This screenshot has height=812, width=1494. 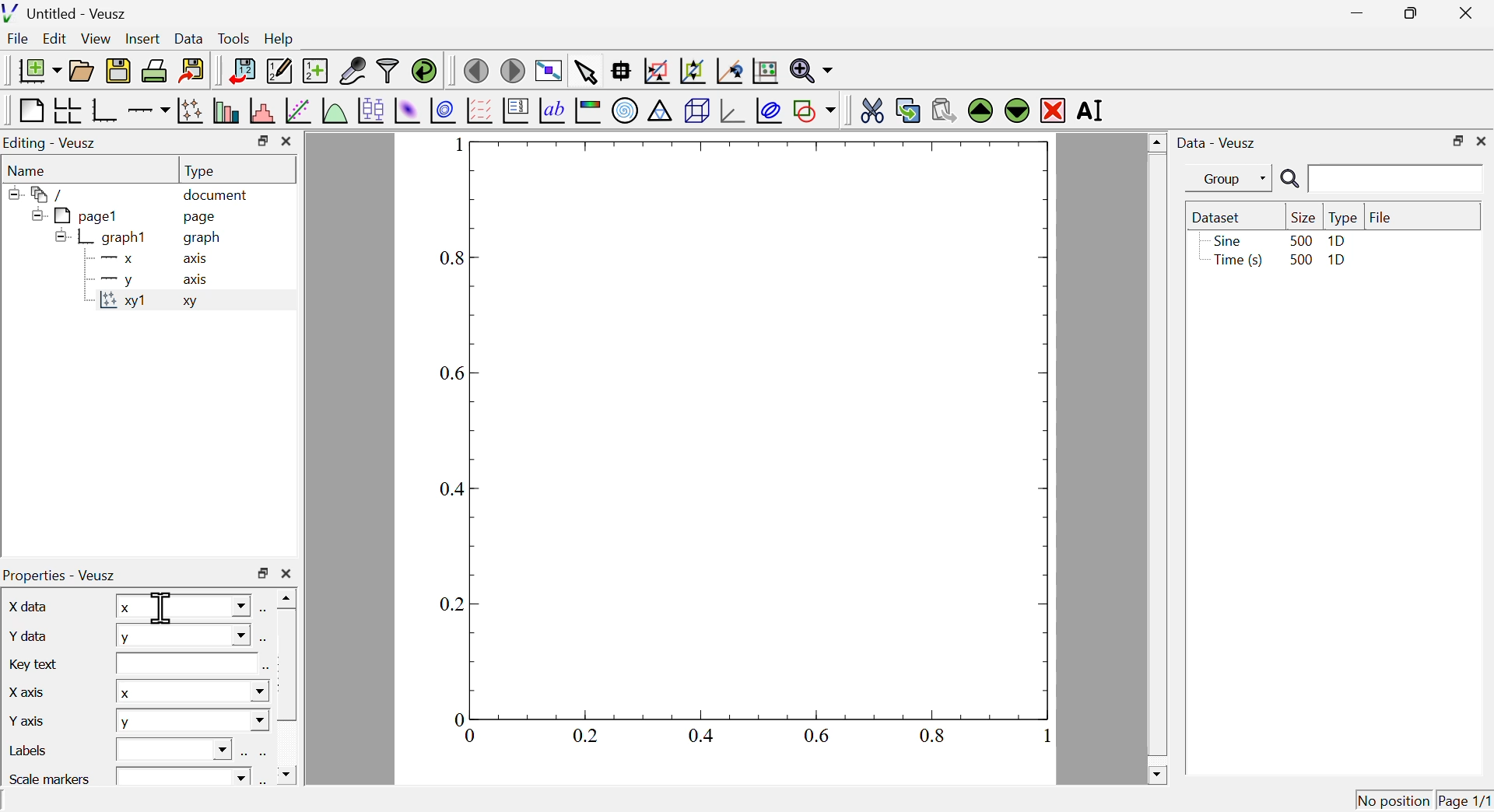 What do you see at coordinates (202, 219) in the screenshot?
I see `page` at bounding box center [202, 219].